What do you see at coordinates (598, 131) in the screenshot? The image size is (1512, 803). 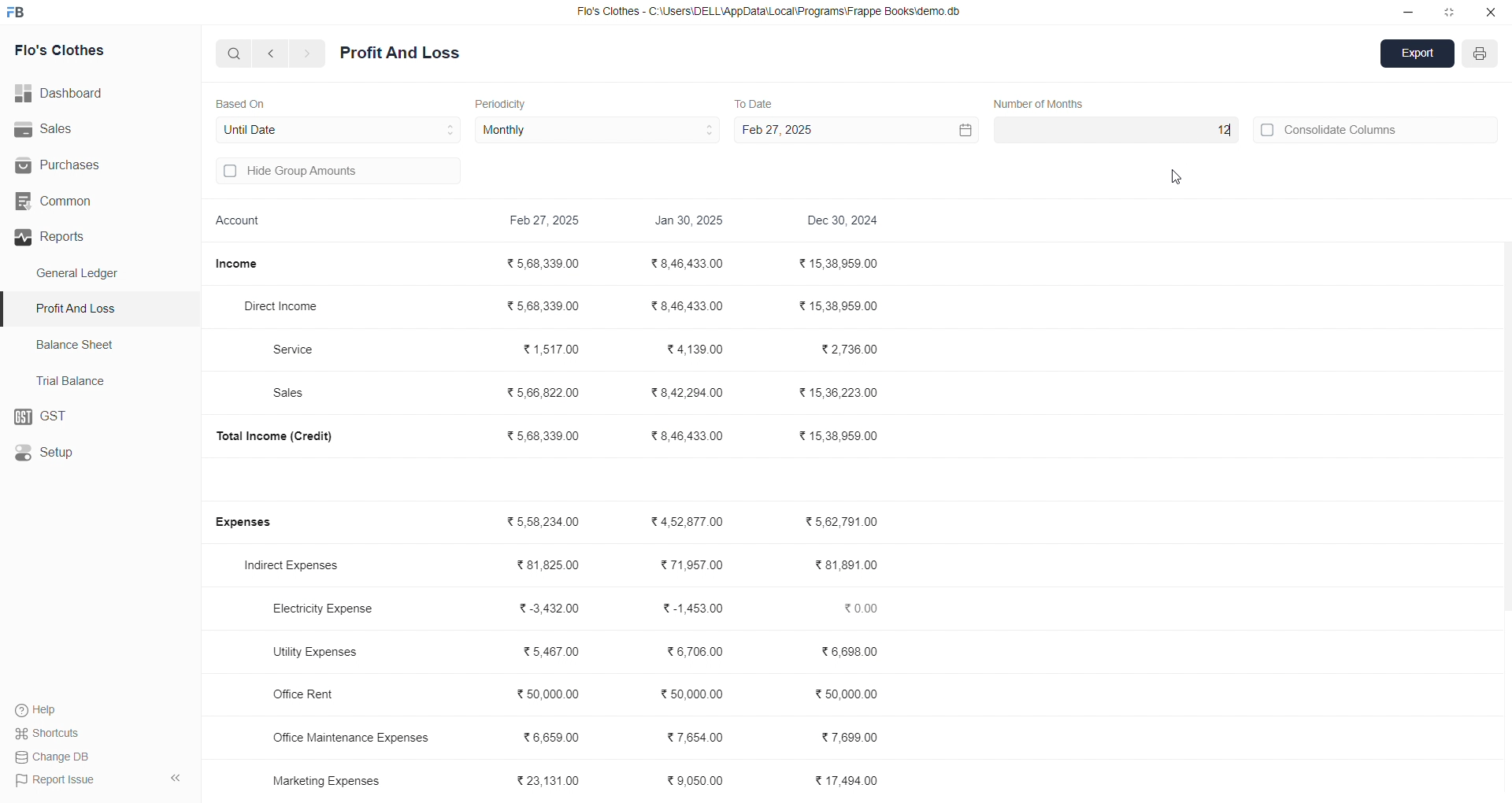 I see `Monthly` at bounding box center [598, 131].